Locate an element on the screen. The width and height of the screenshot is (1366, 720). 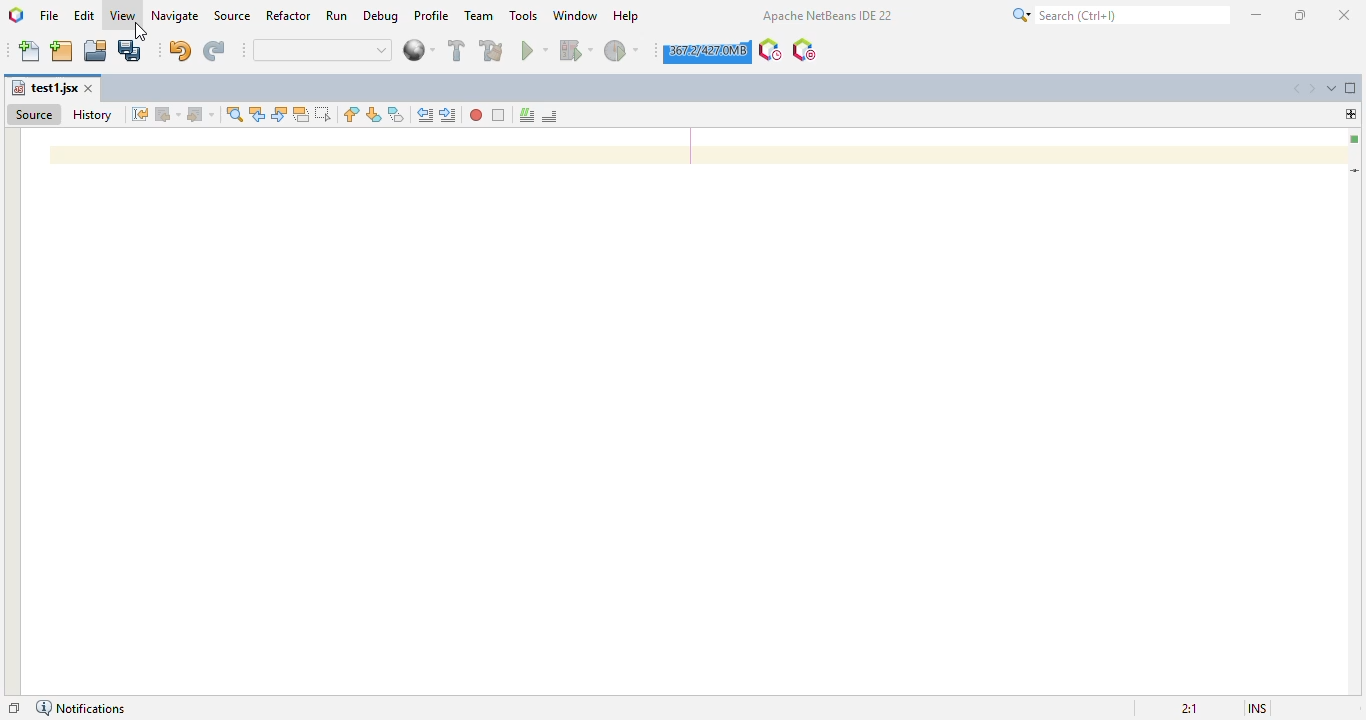
file name is located at coordinates (44, 88).